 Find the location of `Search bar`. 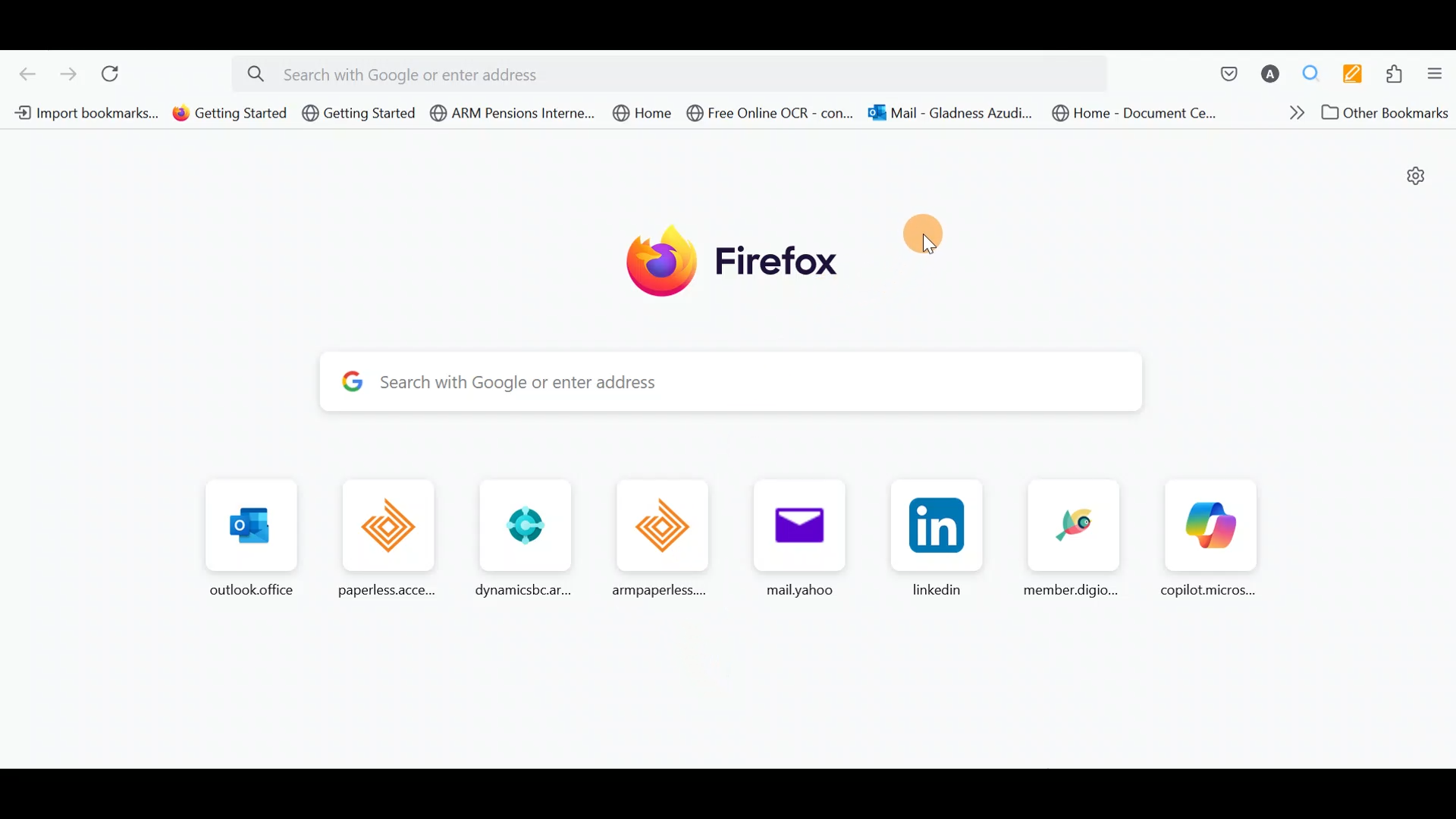

Search bar is located at coordinates (735, 381).